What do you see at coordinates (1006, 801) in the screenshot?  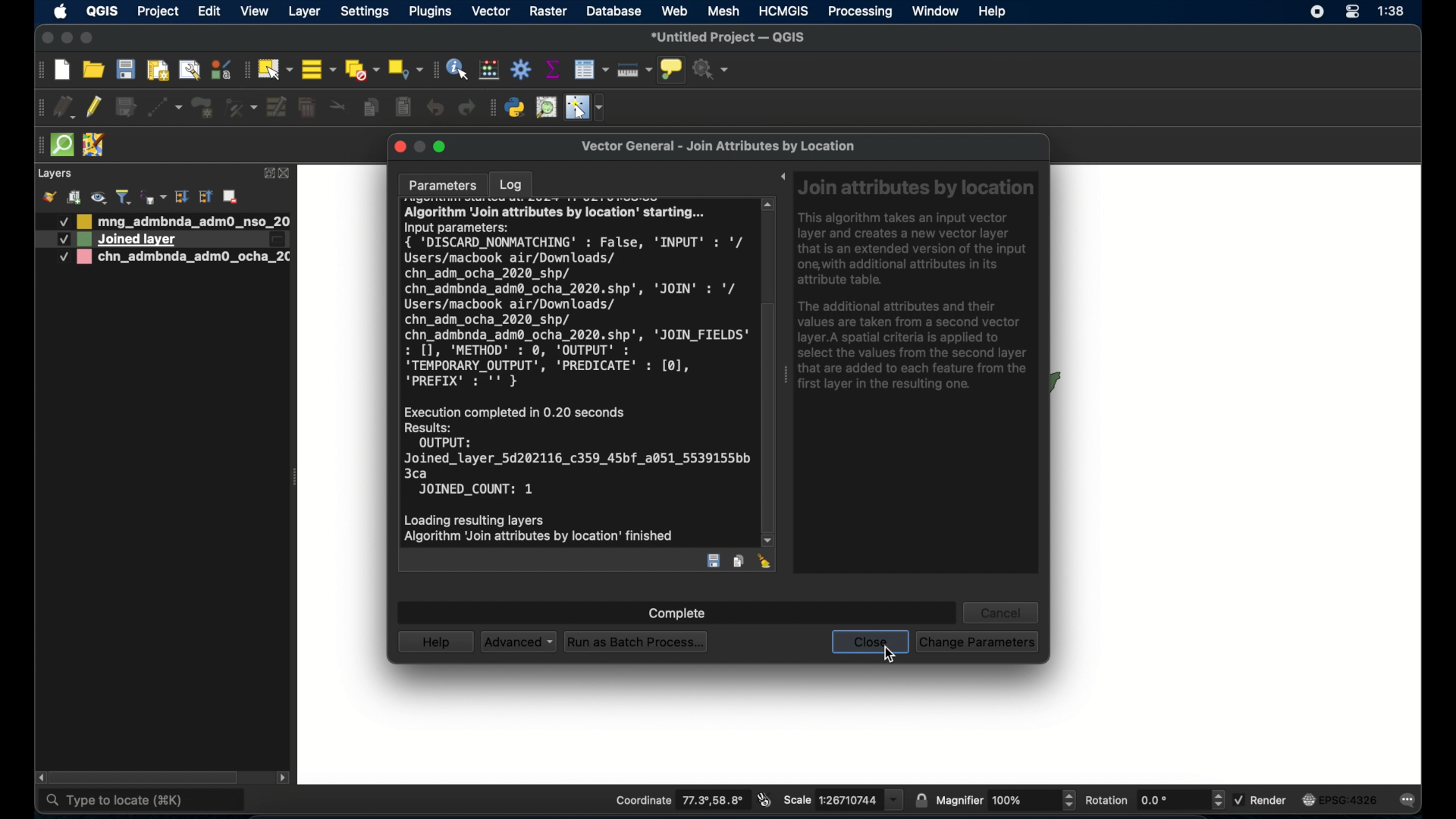 I see `magnifier` at bounding box center [1006, 801].